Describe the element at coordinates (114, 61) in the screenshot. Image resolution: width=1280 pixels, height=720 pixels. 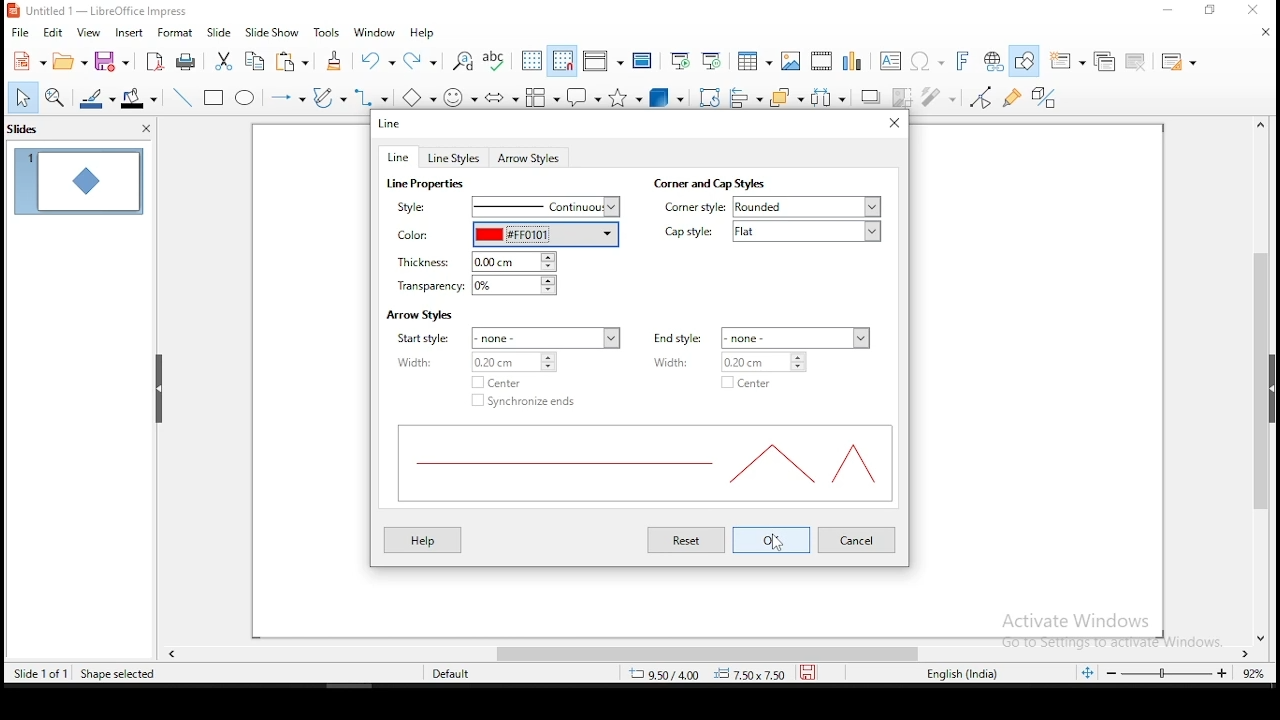
I see `save` at that location.